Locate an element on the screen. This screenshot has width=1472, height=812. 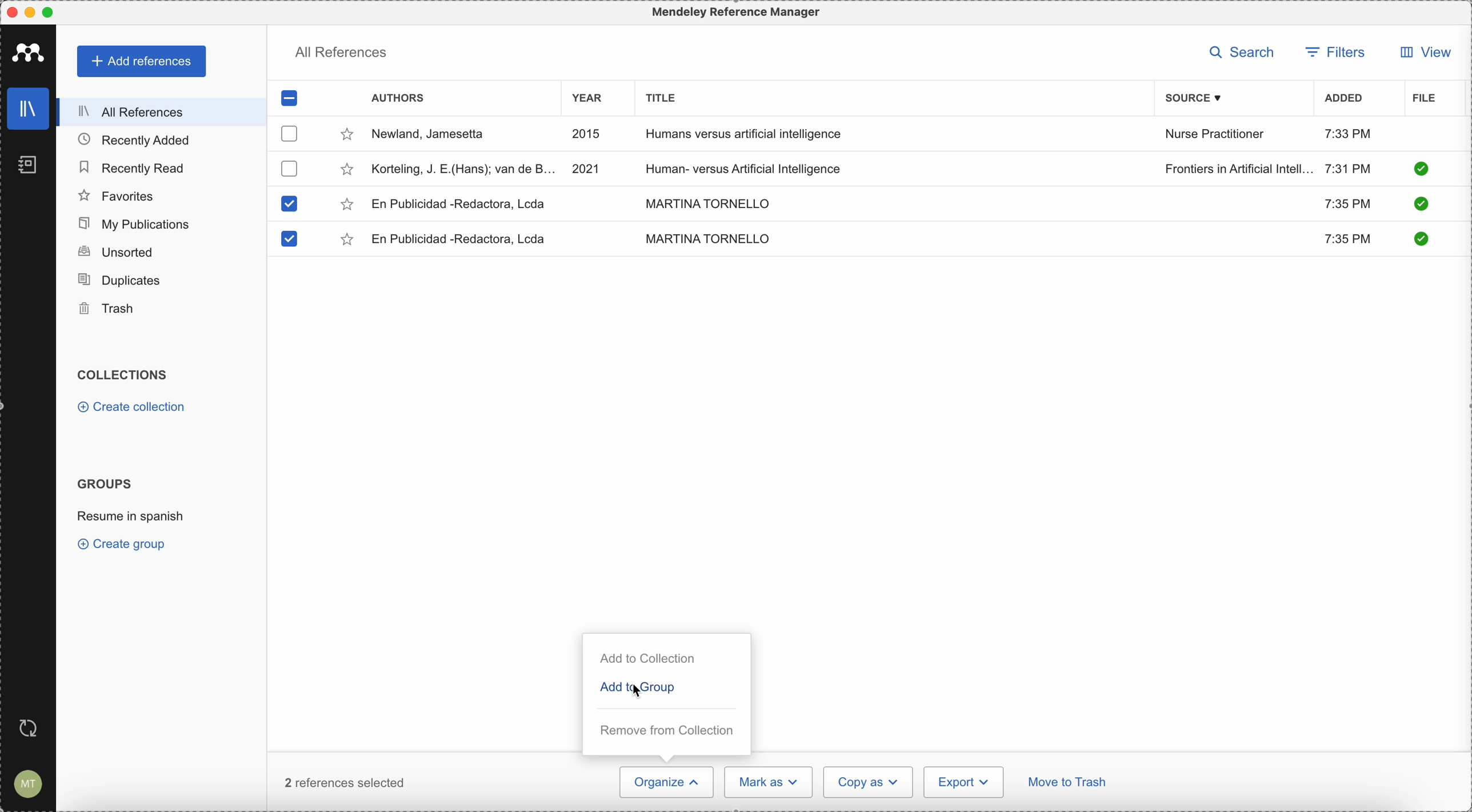
resume in spanish group is located at coordinates (133, 515).